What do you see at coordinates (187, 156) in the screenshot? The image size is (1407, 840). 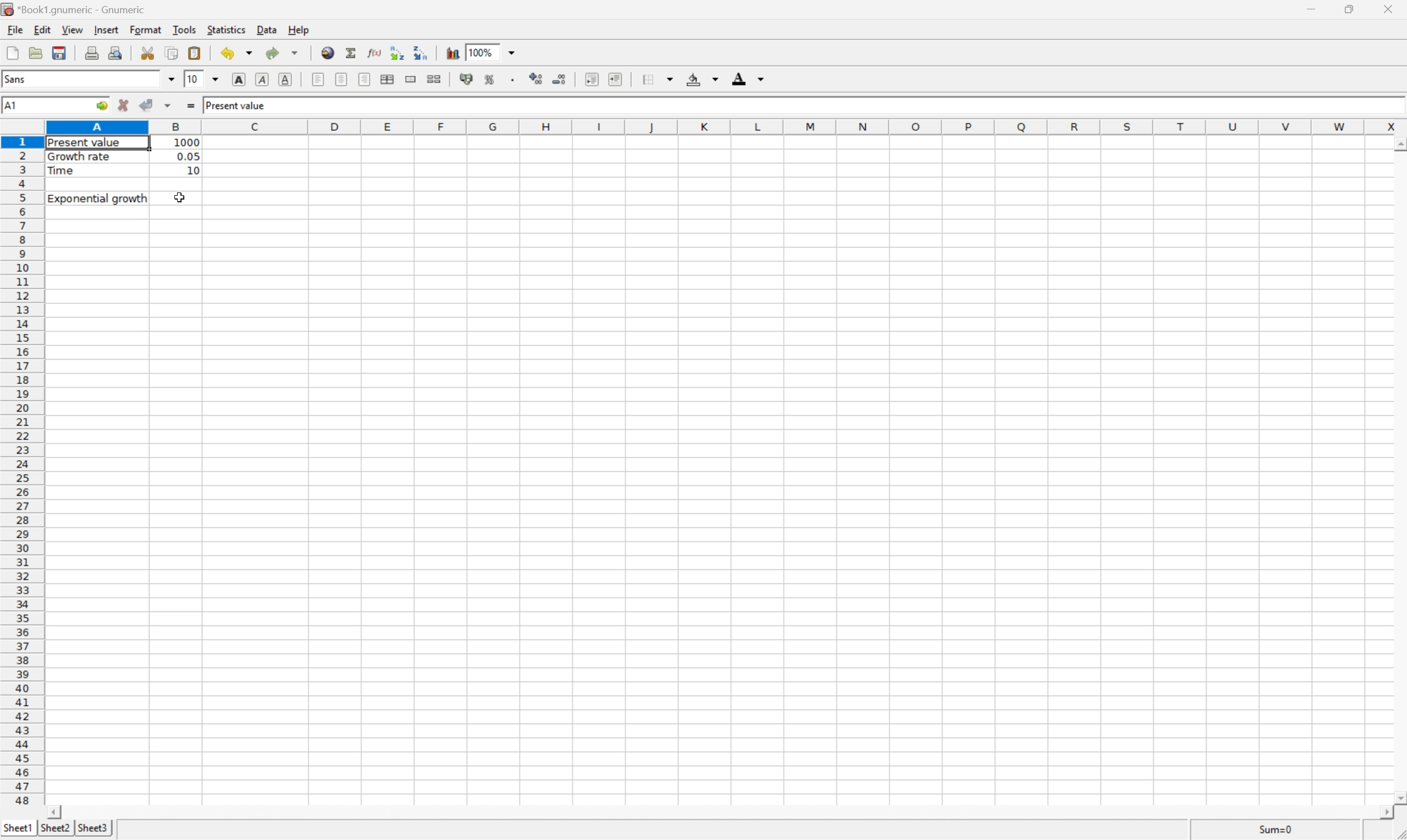 I see `0.05` at bounding box center [187, 156].